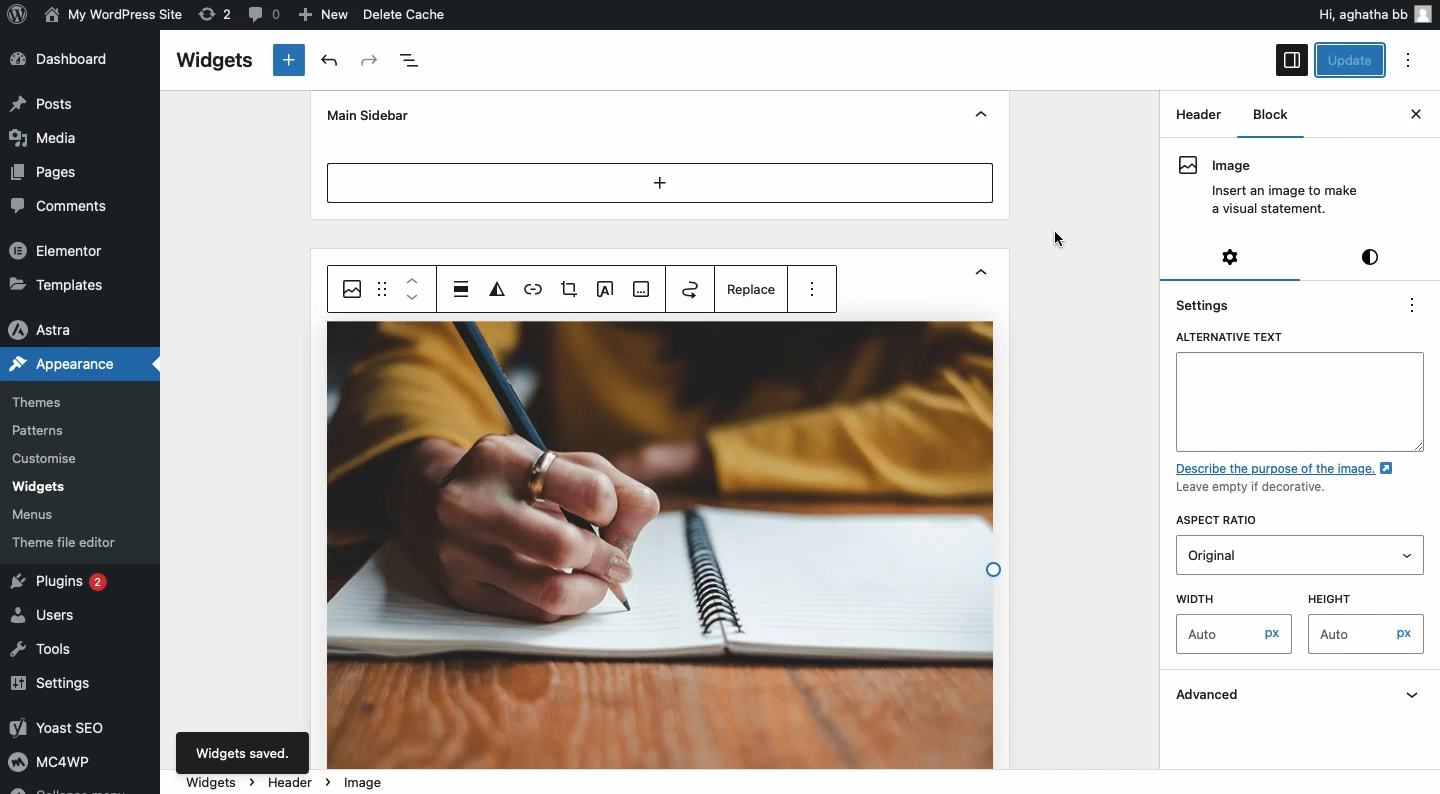 The image size is (1440, 794). What do you see at coordinates (690, 288) in the screenshot?
I see `Draw` at bounding box center [690, 288].